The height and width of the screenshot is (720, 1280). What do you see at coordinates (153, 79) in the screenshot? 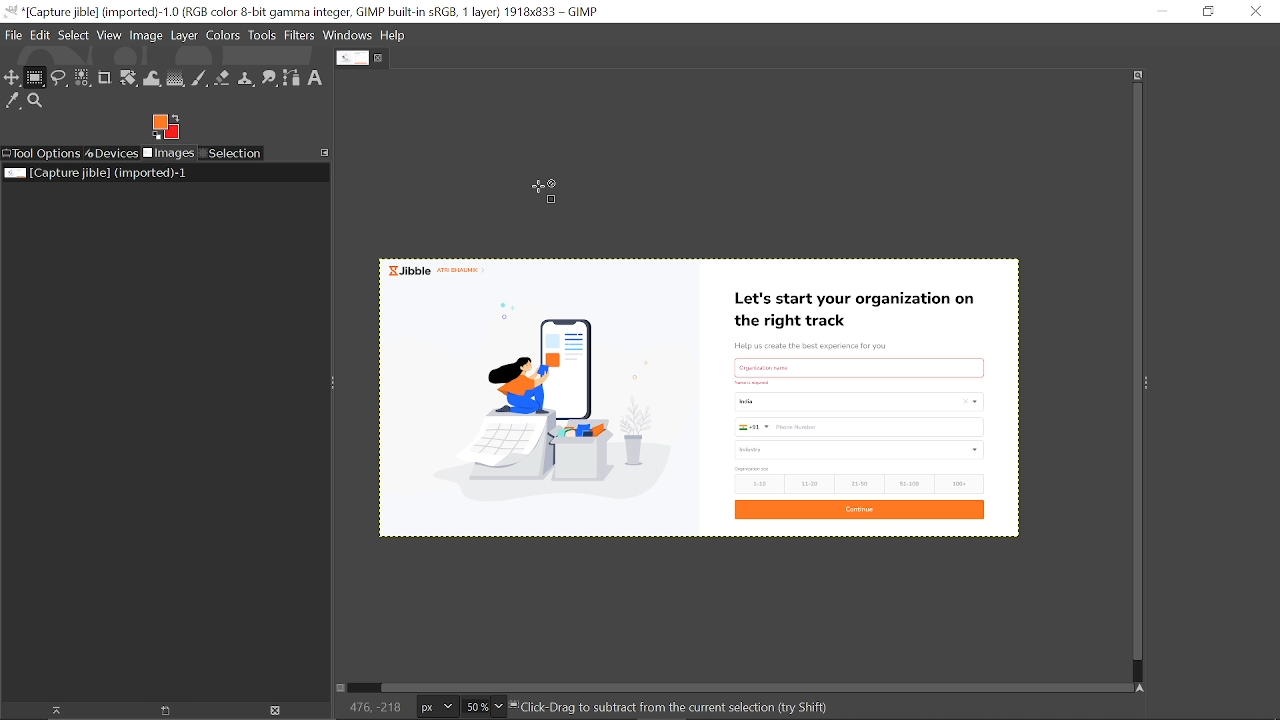
I see `Wrap text tool` at bounding box center [153, 79].